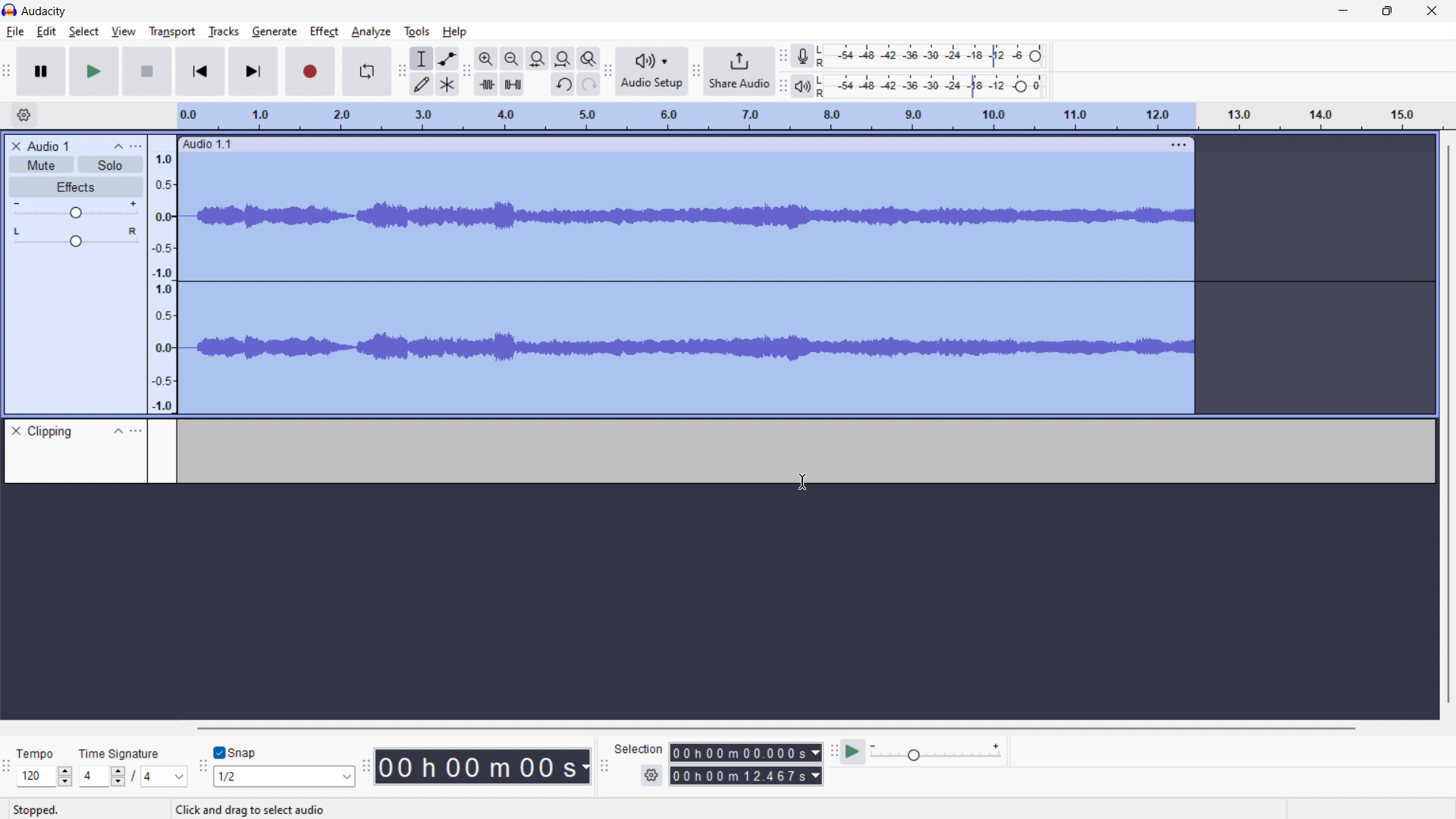  What do you see at coordinates (366, 767) in the screenshot?
I see `time toolbar` at bounding box center [366, 767].